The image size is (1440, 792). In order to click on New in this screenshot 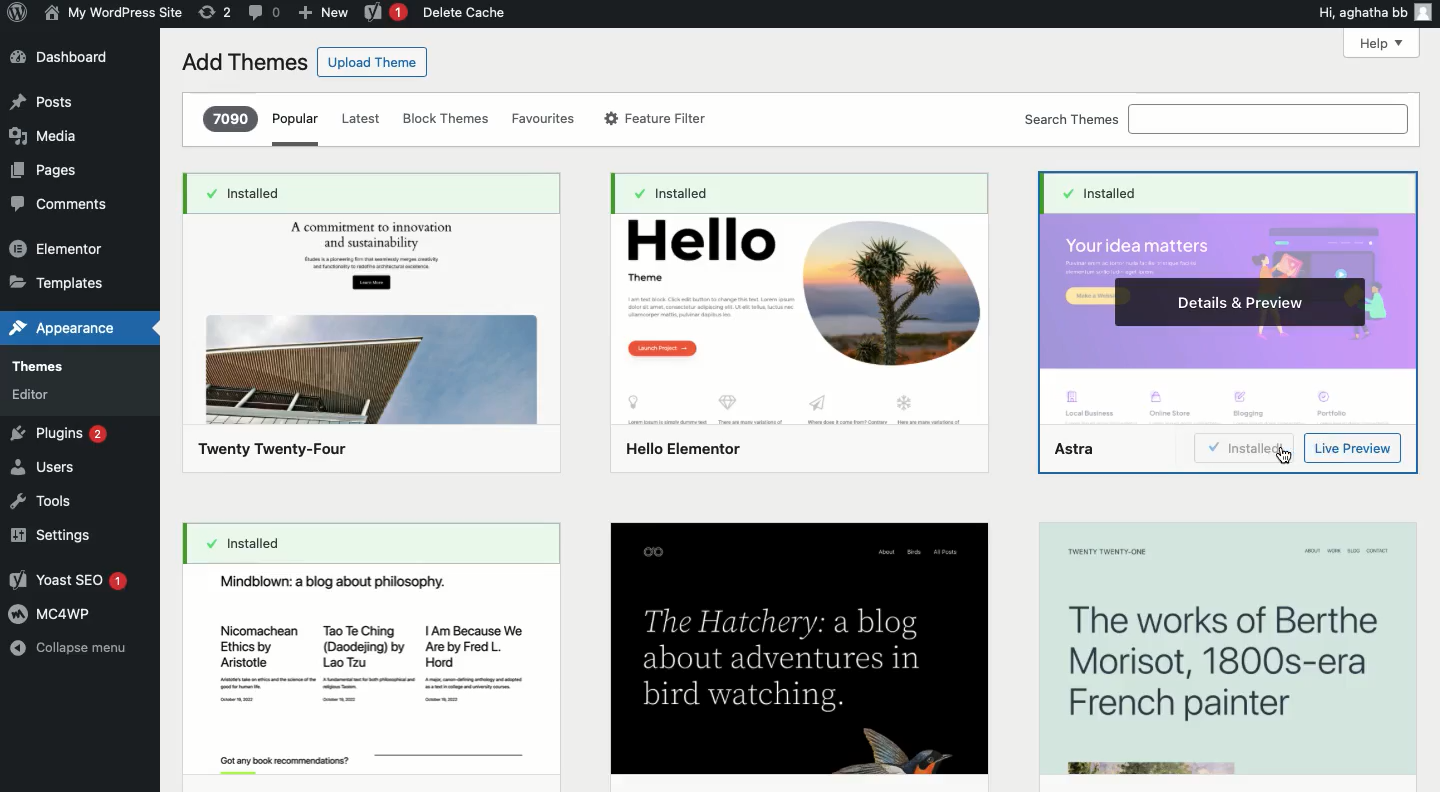, I will do `click(323, 14)`.